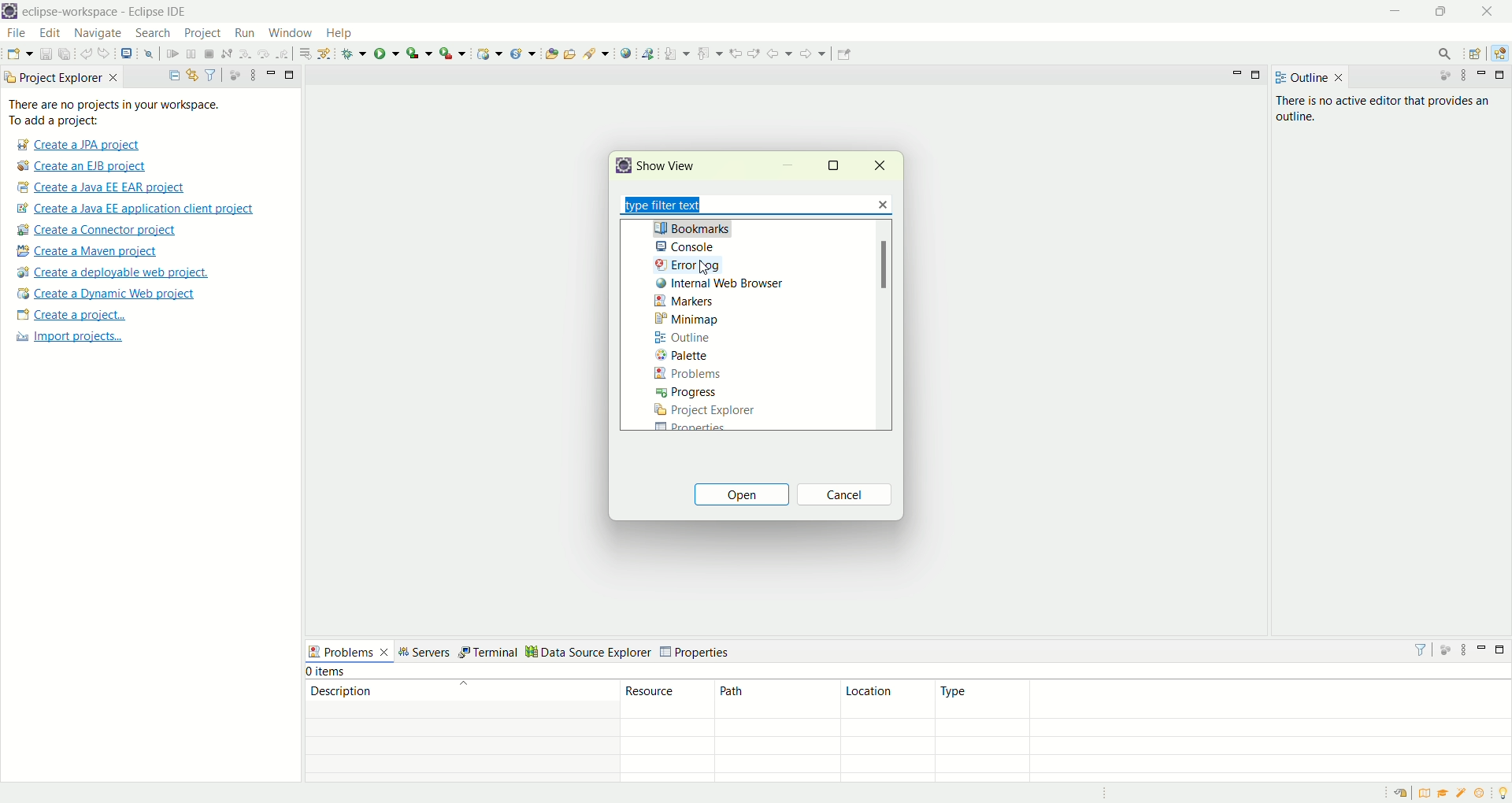 The image size is (1512, 803). I want to click on minimize, so click(1235, 75).